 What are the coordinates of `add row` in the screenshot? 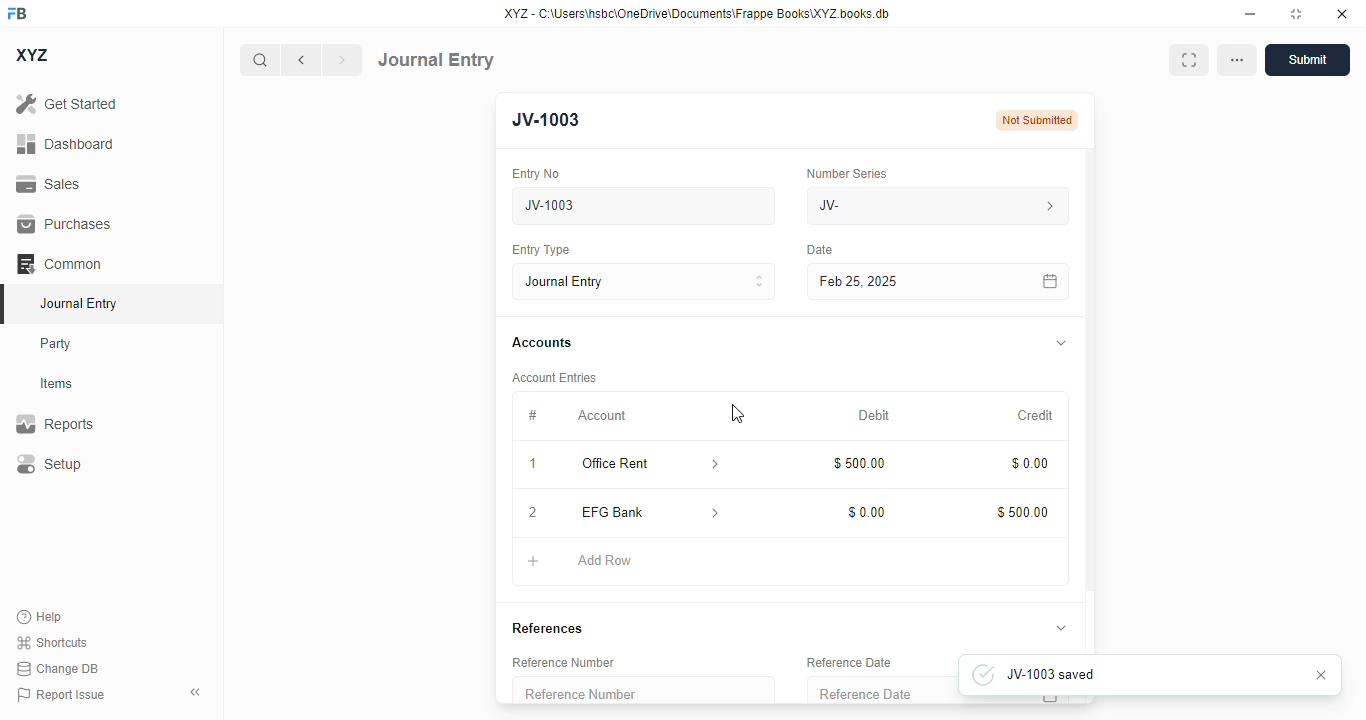 It's located at (607, 561).